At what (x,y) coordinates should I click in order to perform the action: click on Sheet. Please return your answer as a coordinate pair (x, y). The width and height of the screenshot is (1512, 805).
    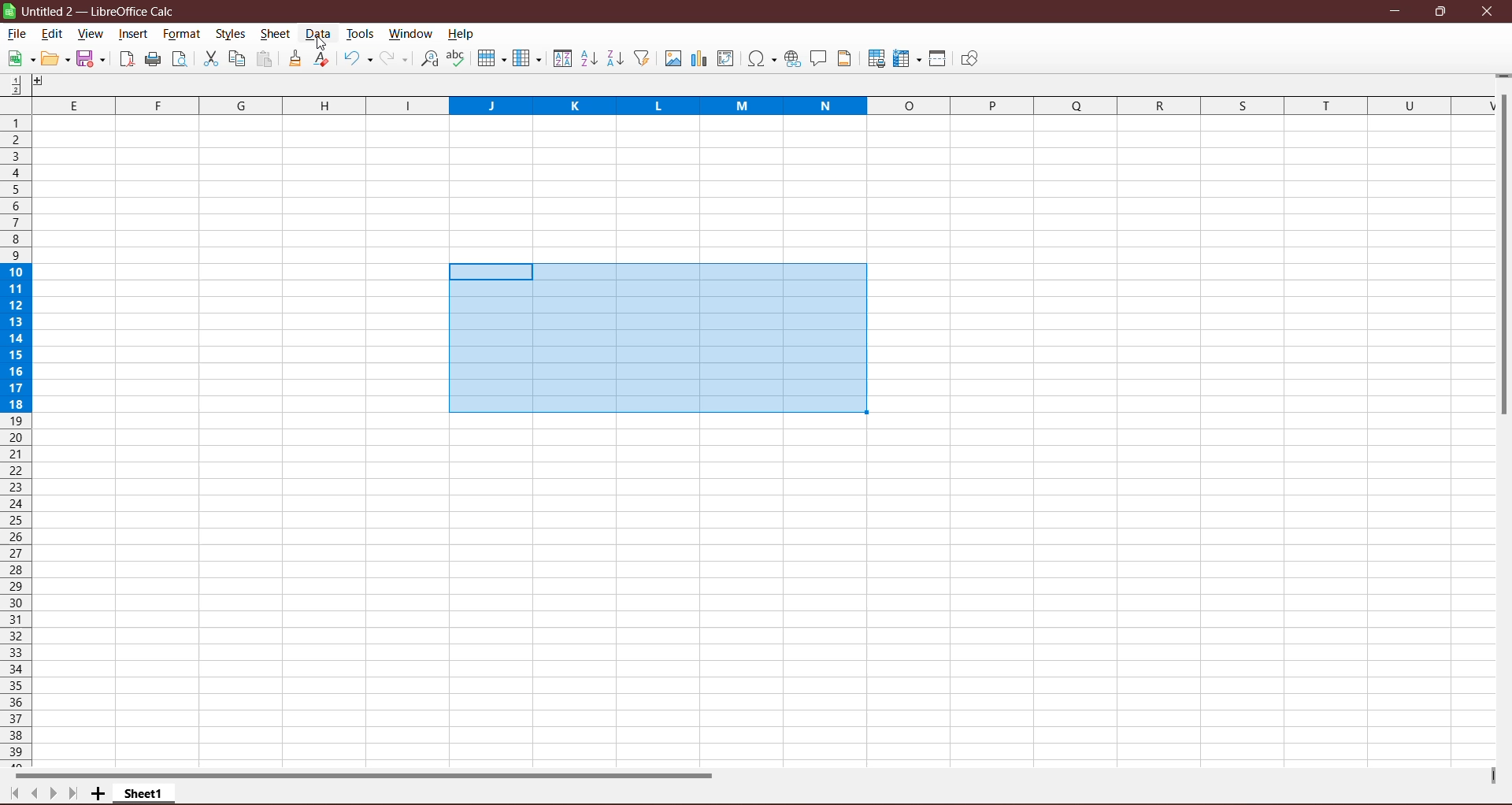
    Looking at the image, I should click on (276, 35).